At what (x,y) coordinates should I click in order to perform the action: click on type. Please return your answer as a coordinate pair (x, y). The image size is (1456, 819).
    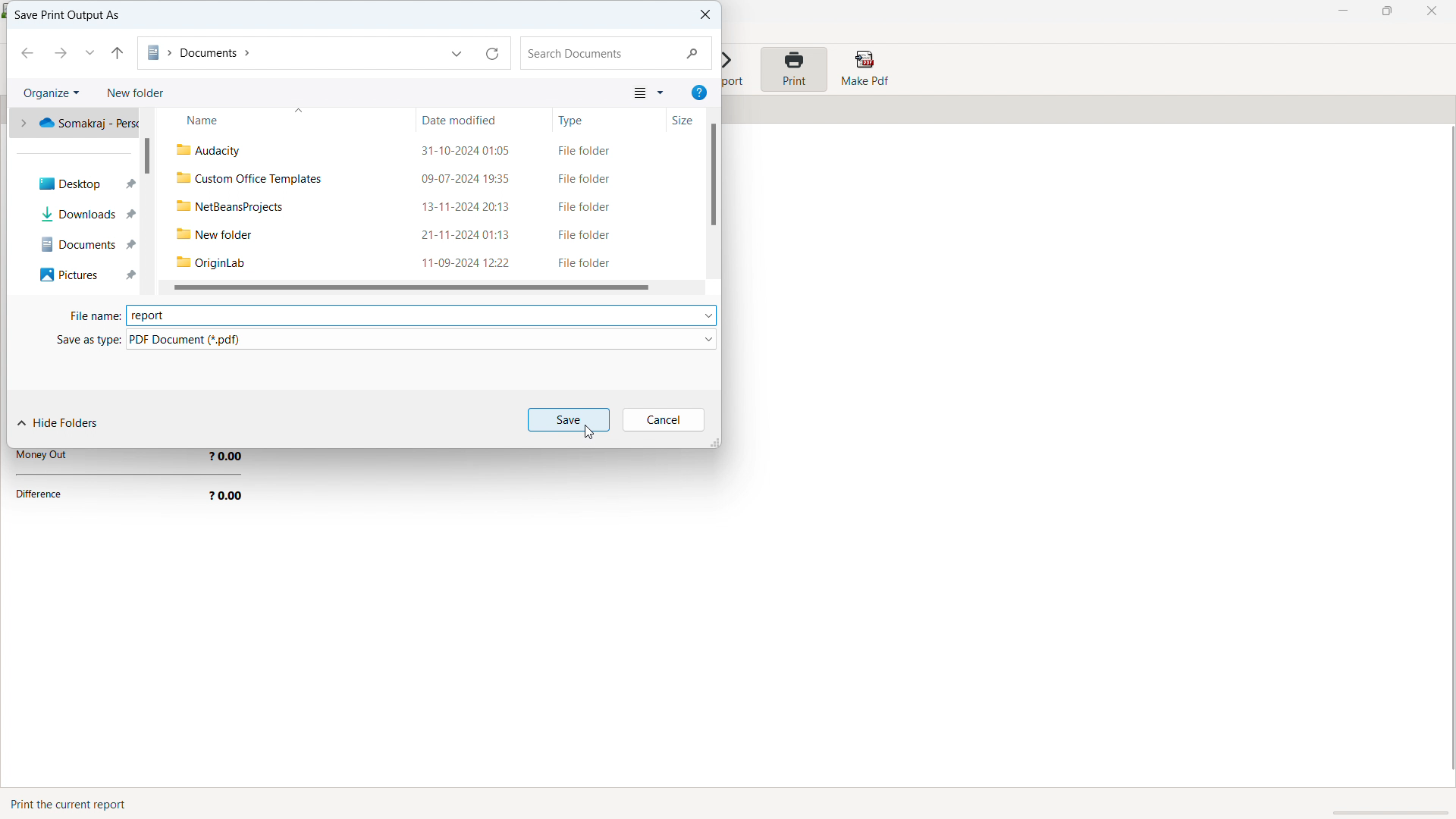
    Looking at the image, I should click on (598, 119).